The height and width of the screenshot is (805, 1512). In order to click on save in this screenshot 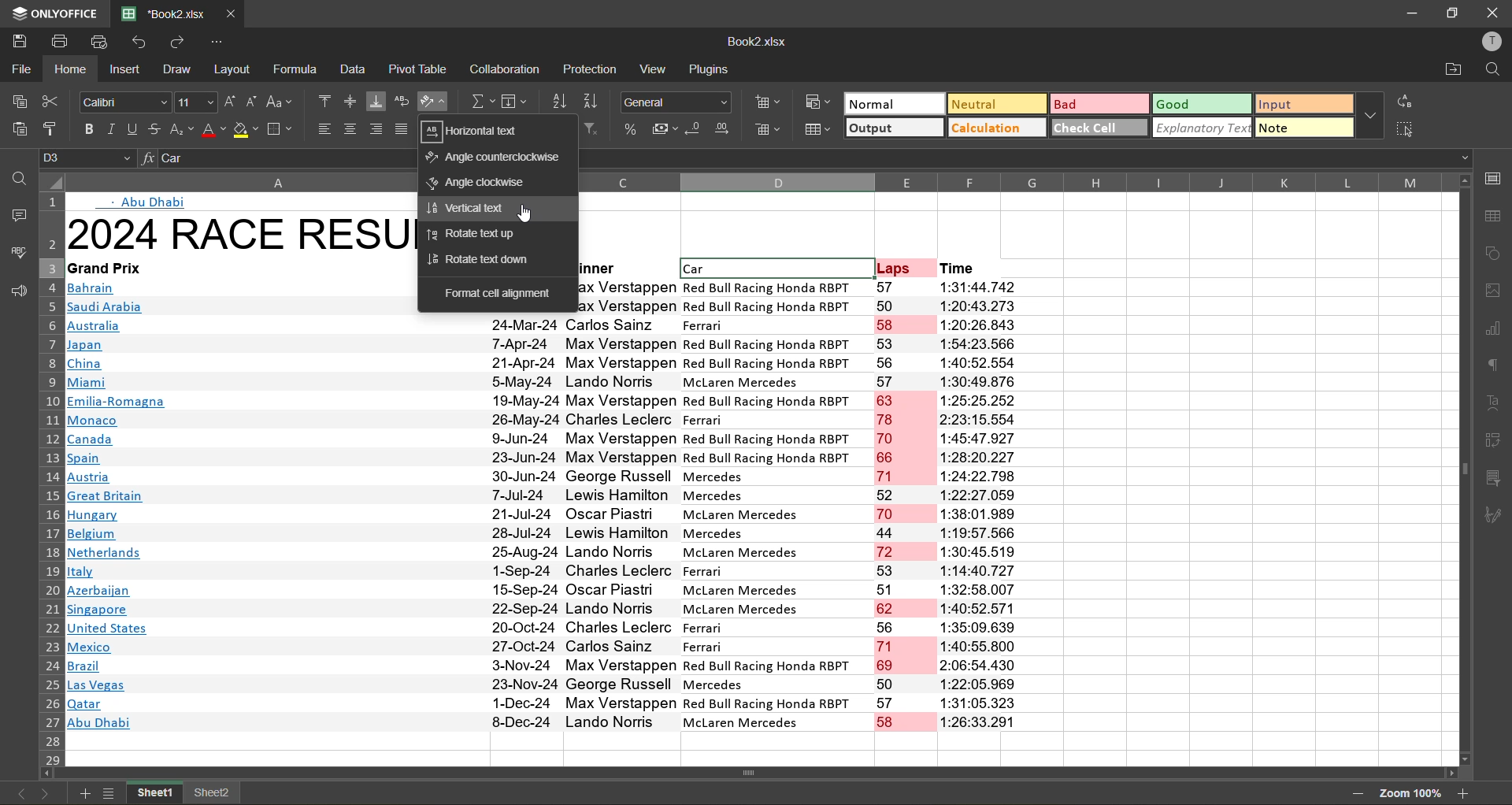, I will do `click(20, 42)`.